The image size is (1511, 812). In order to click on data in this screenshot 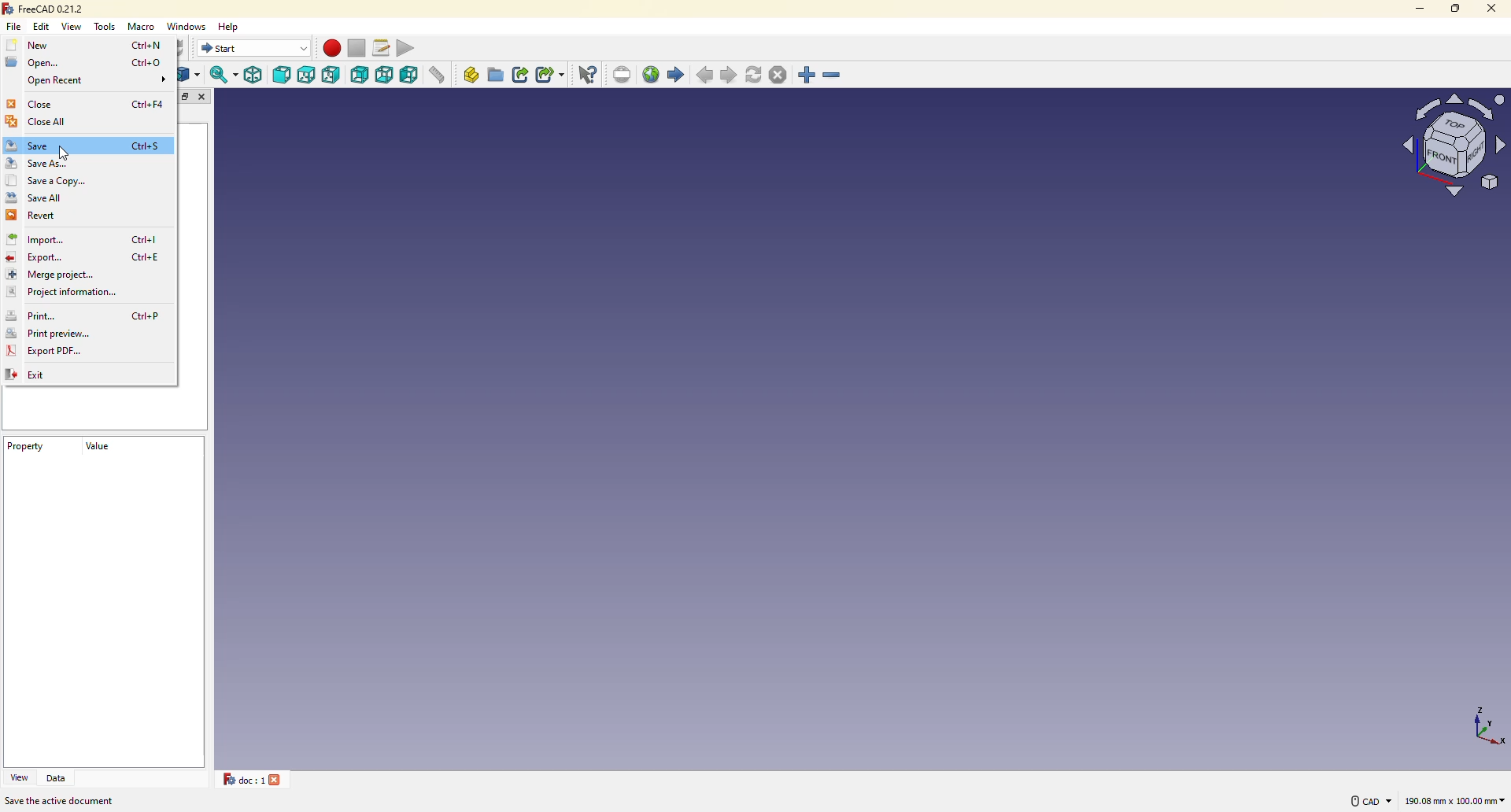, I will do `click(57, 778)`.